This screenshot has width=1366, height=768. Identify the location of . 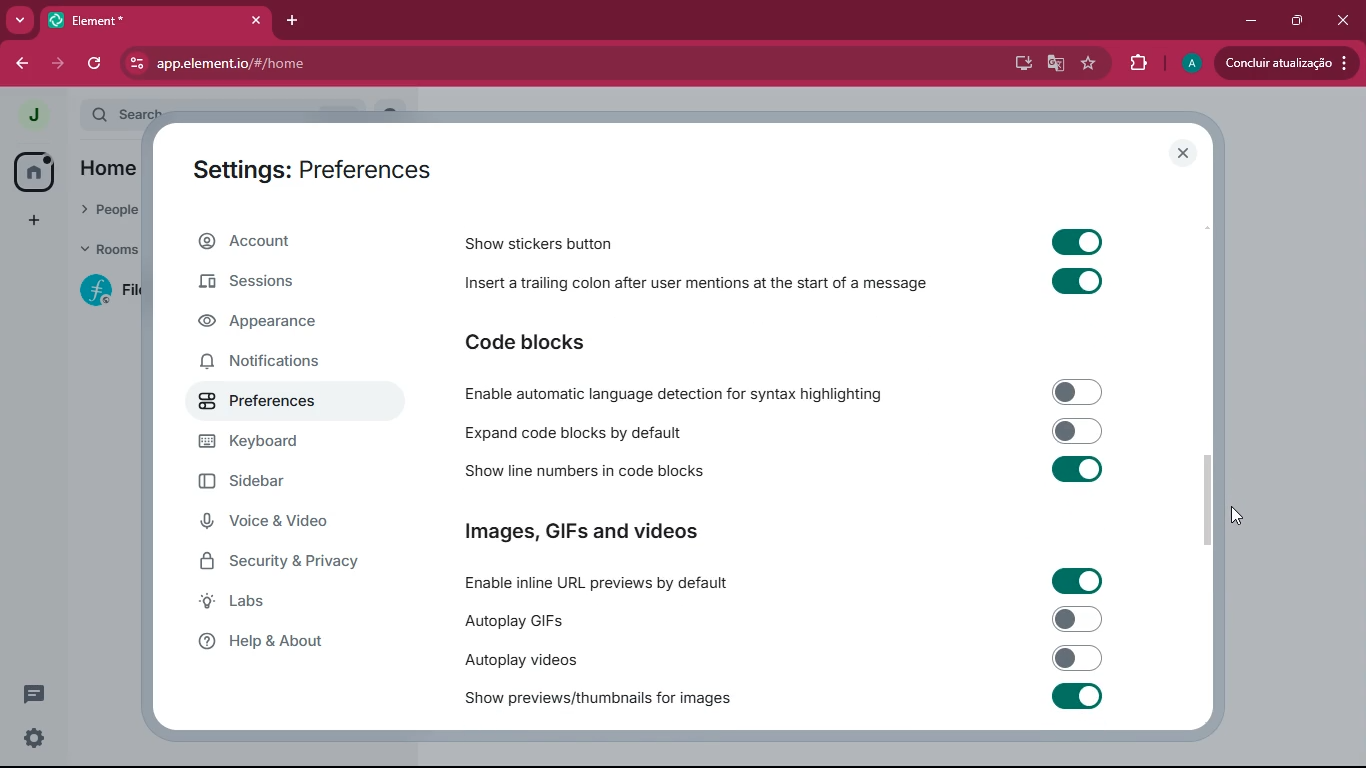
(1078, 391).